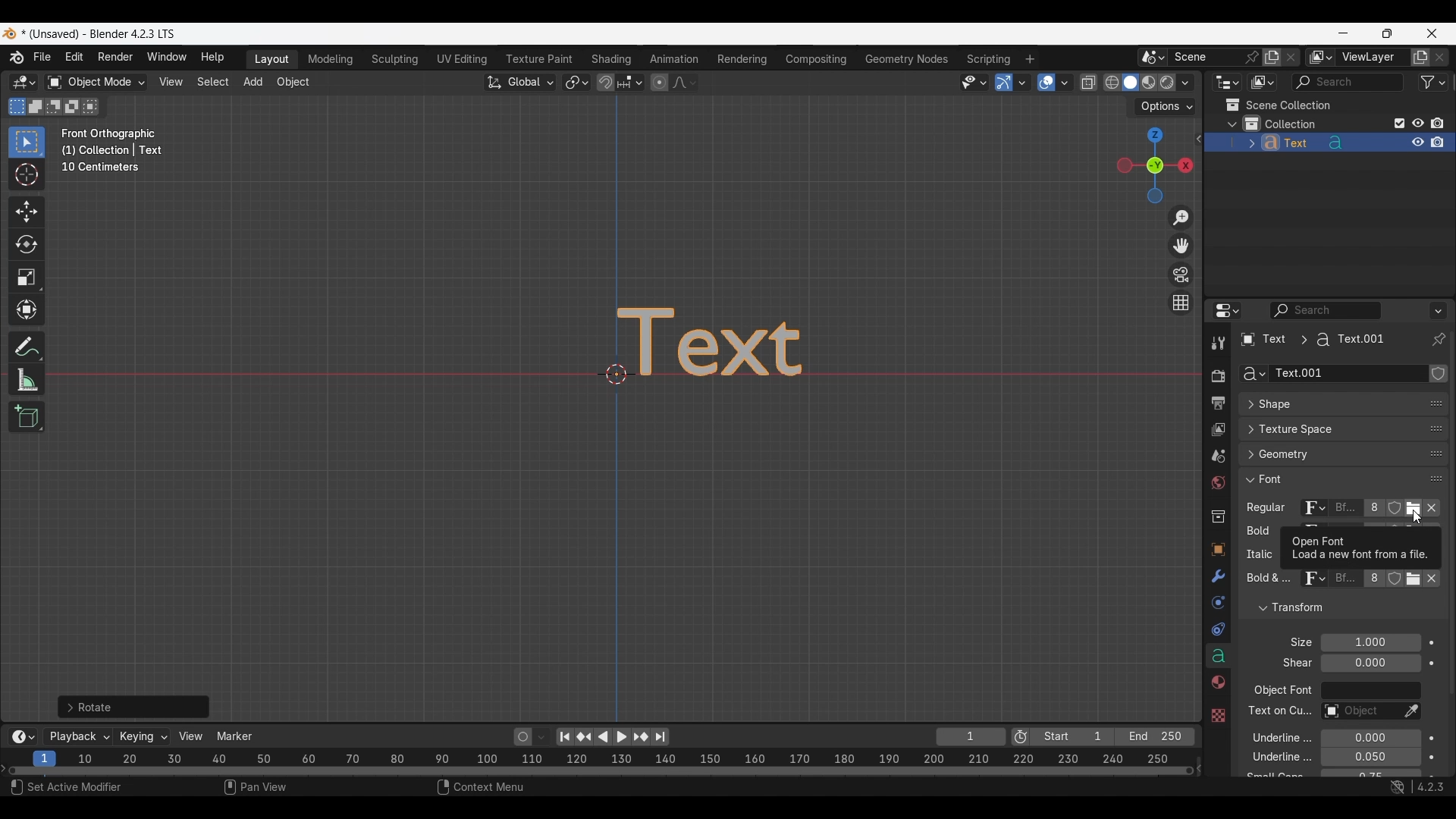 This screenshot has width=1456, height=819. What do you see at coordinates (1328, 454) in the screenshot?
I see `Click to expand Geometry` at bounding box center [1328, 454].